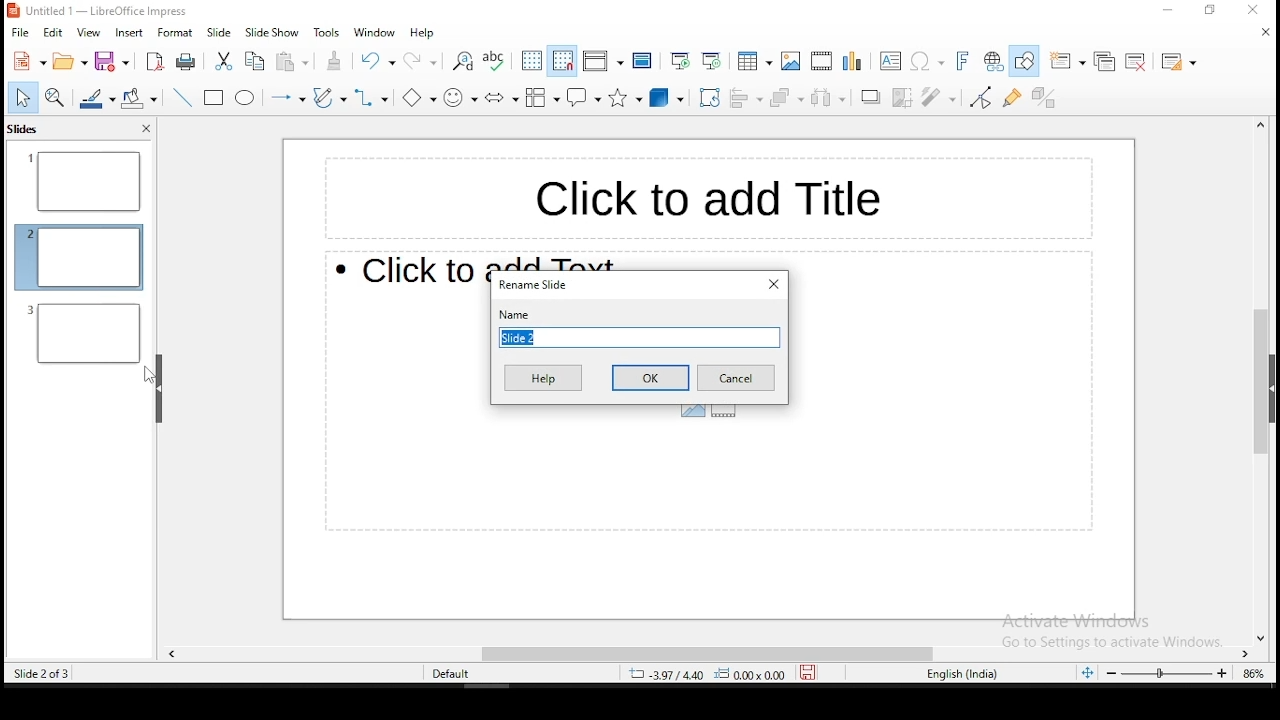 The width and height of the screenshot is (1280, 720). Describe the element at coordinates (904, 97) in the screenshot. I see `crop image` at that location.